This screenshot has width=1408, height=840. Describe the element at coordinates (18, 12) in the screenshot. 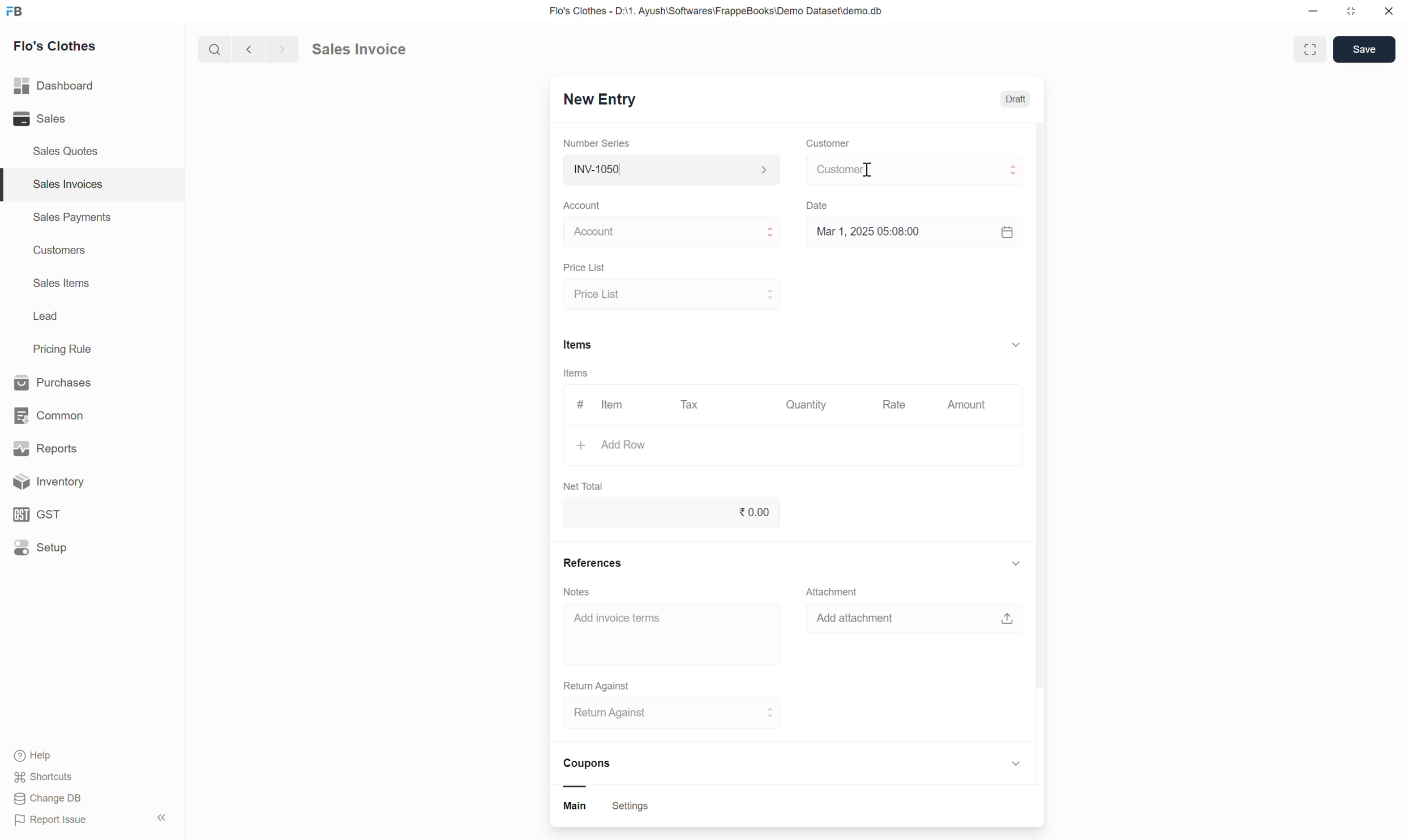

I see `Frappe Book logo` at that location.